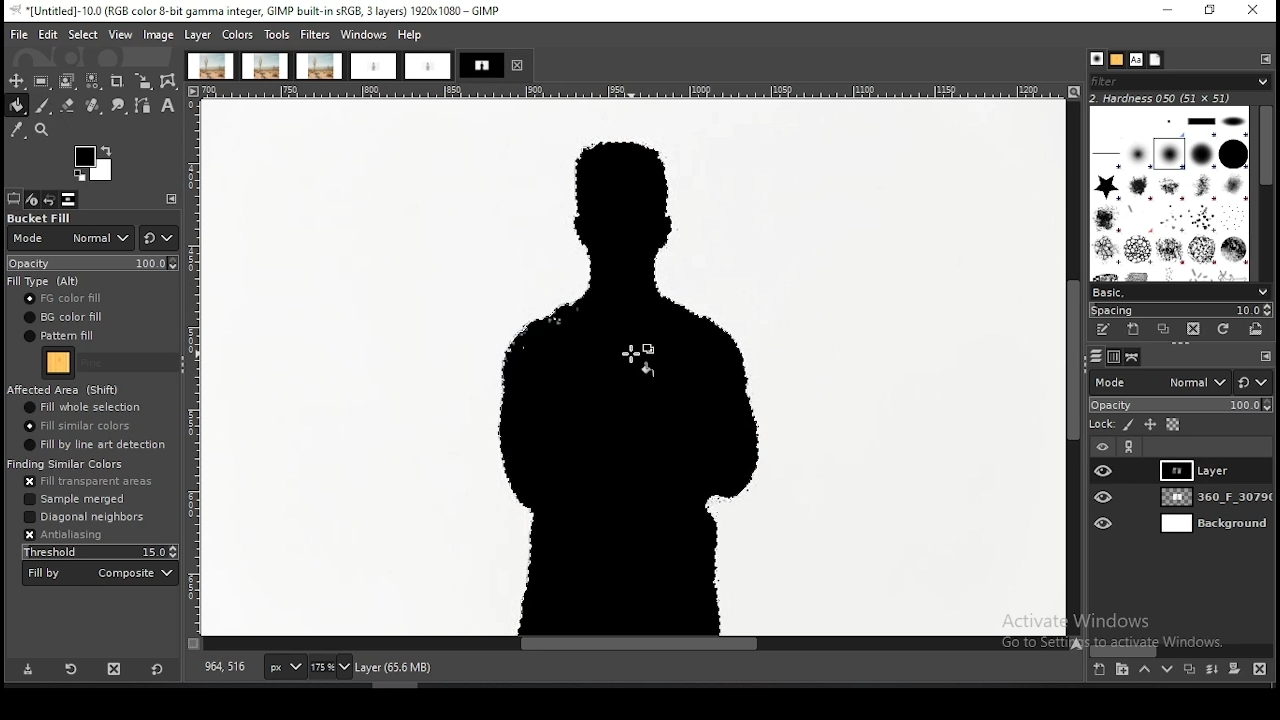 This screenshot has width=1280, height=720. Describe the element at coordinates (49, 34) in the screenshot. I see `edit` at that location.